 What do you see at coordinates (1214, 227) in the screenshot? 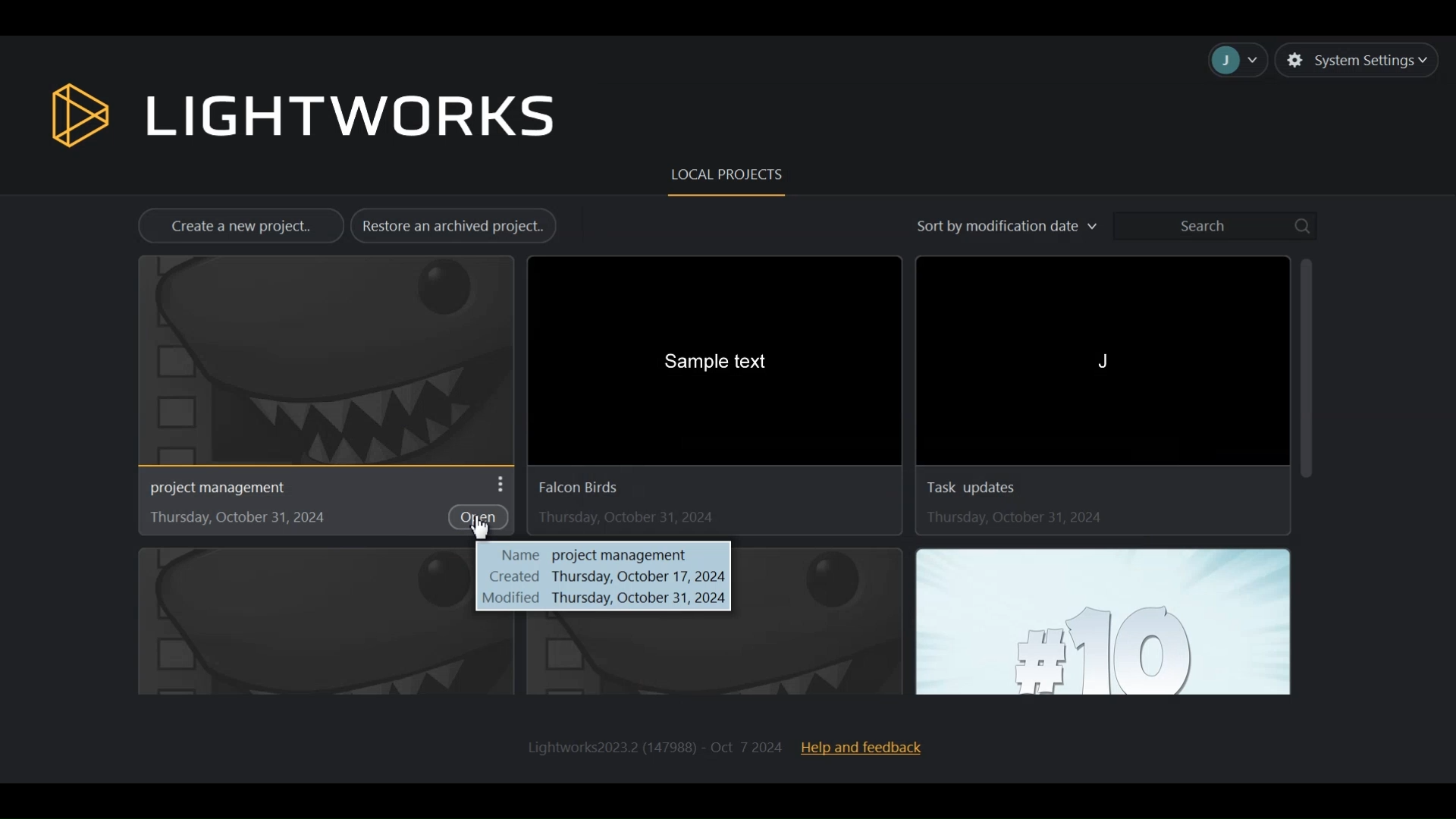
I see `Search` at bounding box center [1214, 227].